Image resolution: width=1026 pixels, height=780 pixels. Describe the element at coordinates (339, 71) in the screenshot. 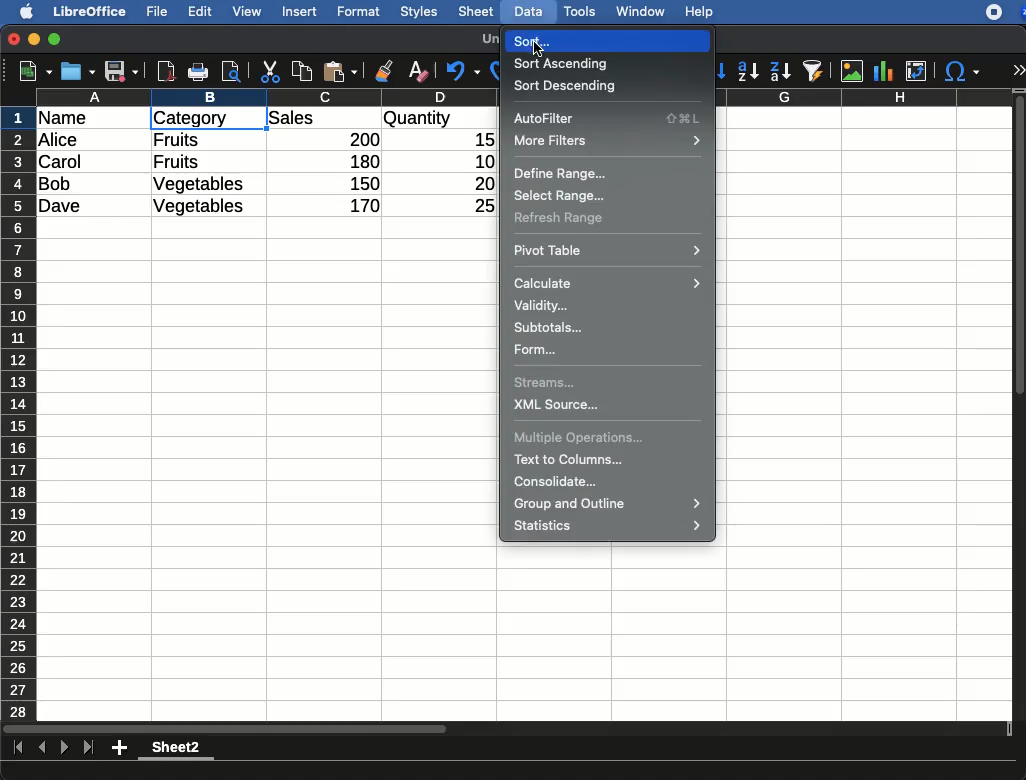

I see `paste` at that location.